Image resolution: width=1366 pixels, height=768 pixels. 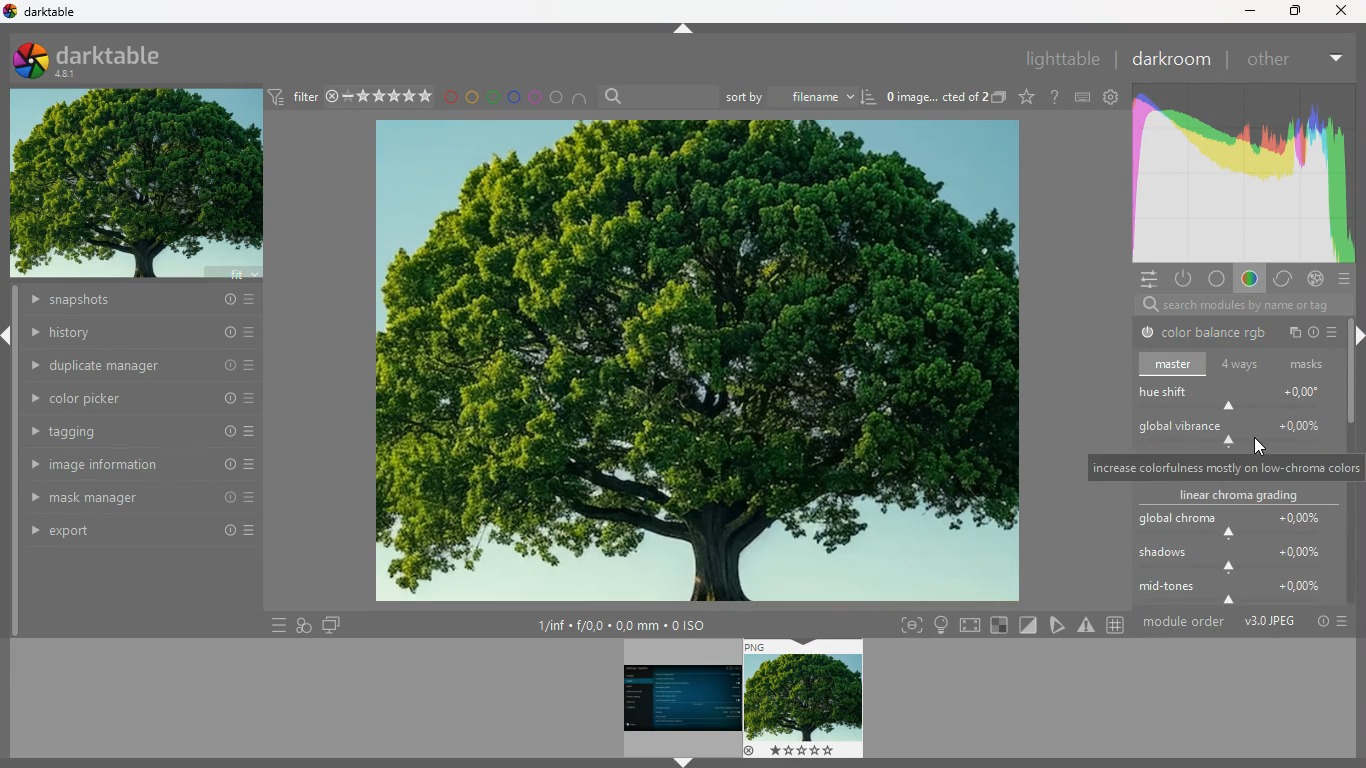 I want to click on frame, so click(x=907, y=626).